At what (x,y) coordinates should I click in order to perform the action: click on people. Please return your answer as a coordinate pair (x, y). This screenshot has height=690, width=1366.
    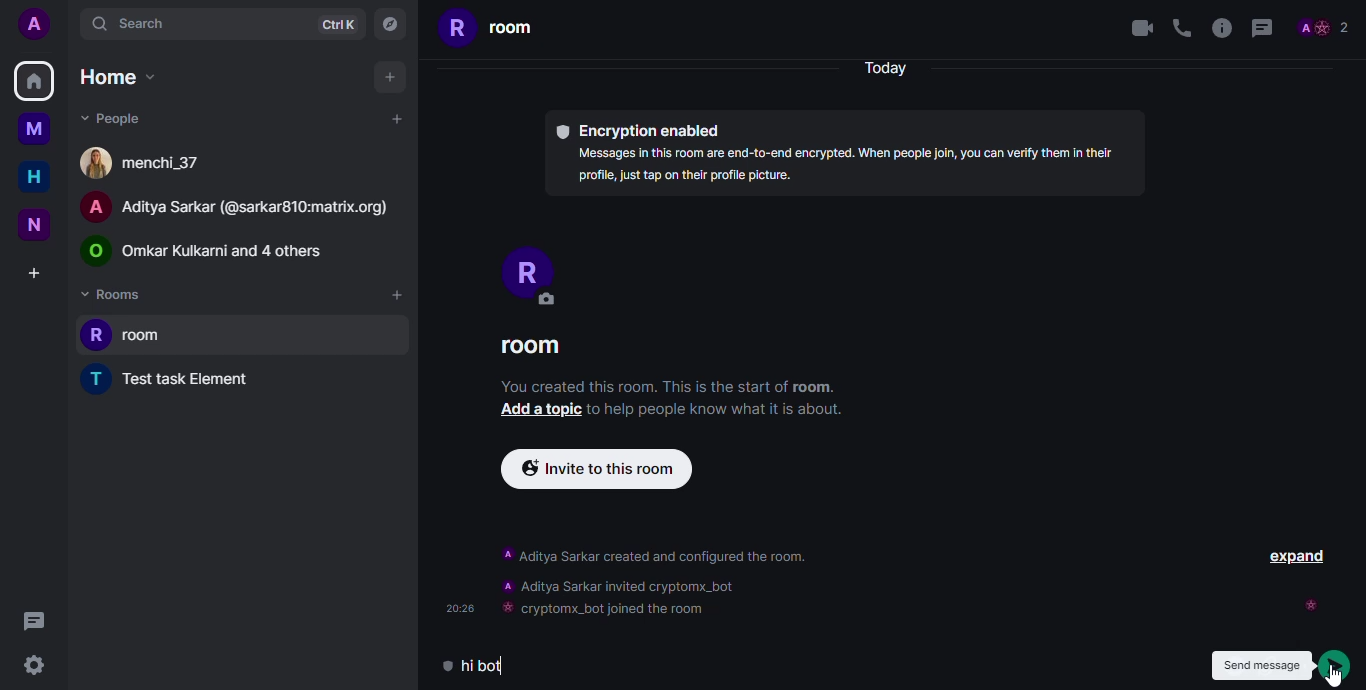
    Looking at the image, I should click on (143, 163).